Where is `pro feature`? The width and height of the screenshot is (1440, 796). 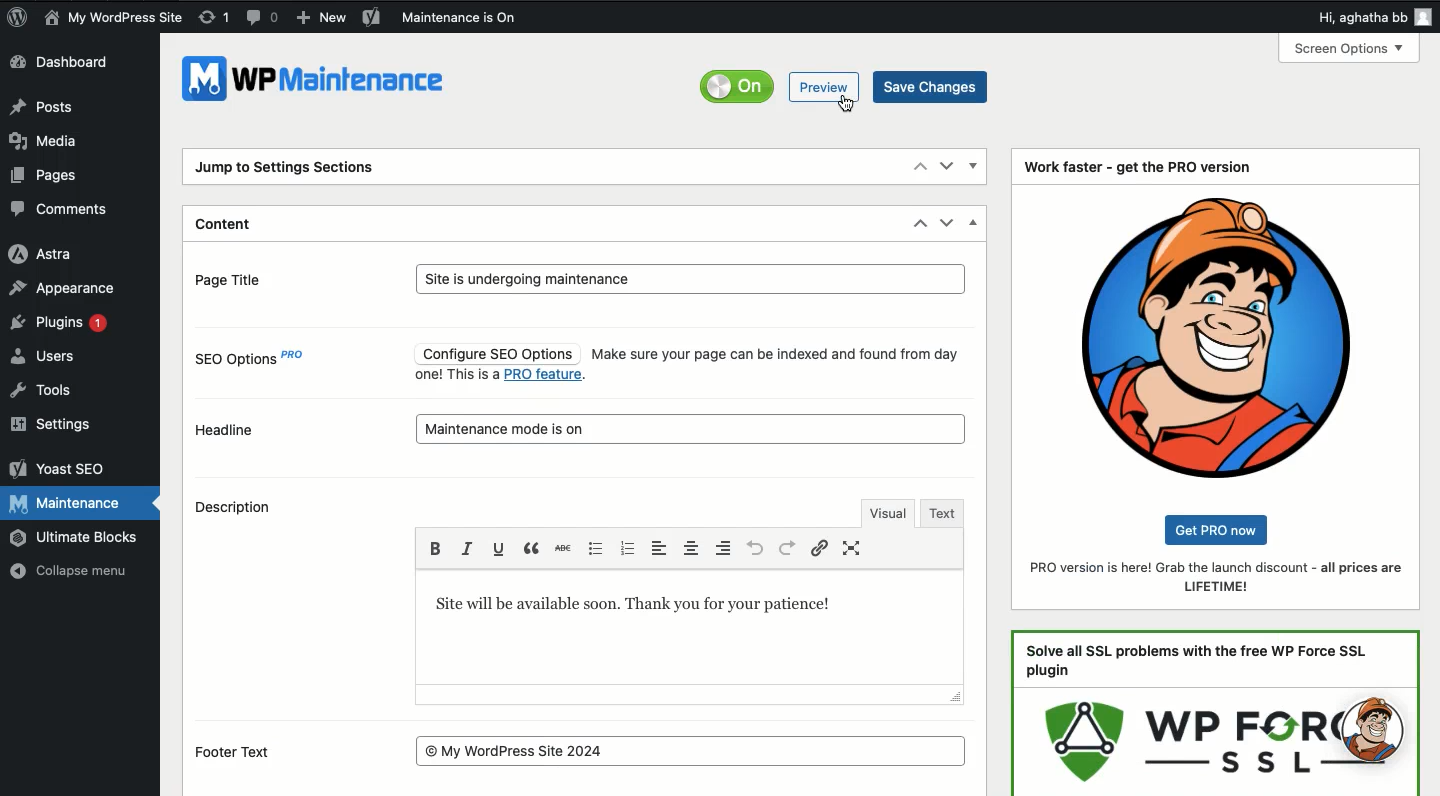 pro feature is located at coordinates (546, 376).